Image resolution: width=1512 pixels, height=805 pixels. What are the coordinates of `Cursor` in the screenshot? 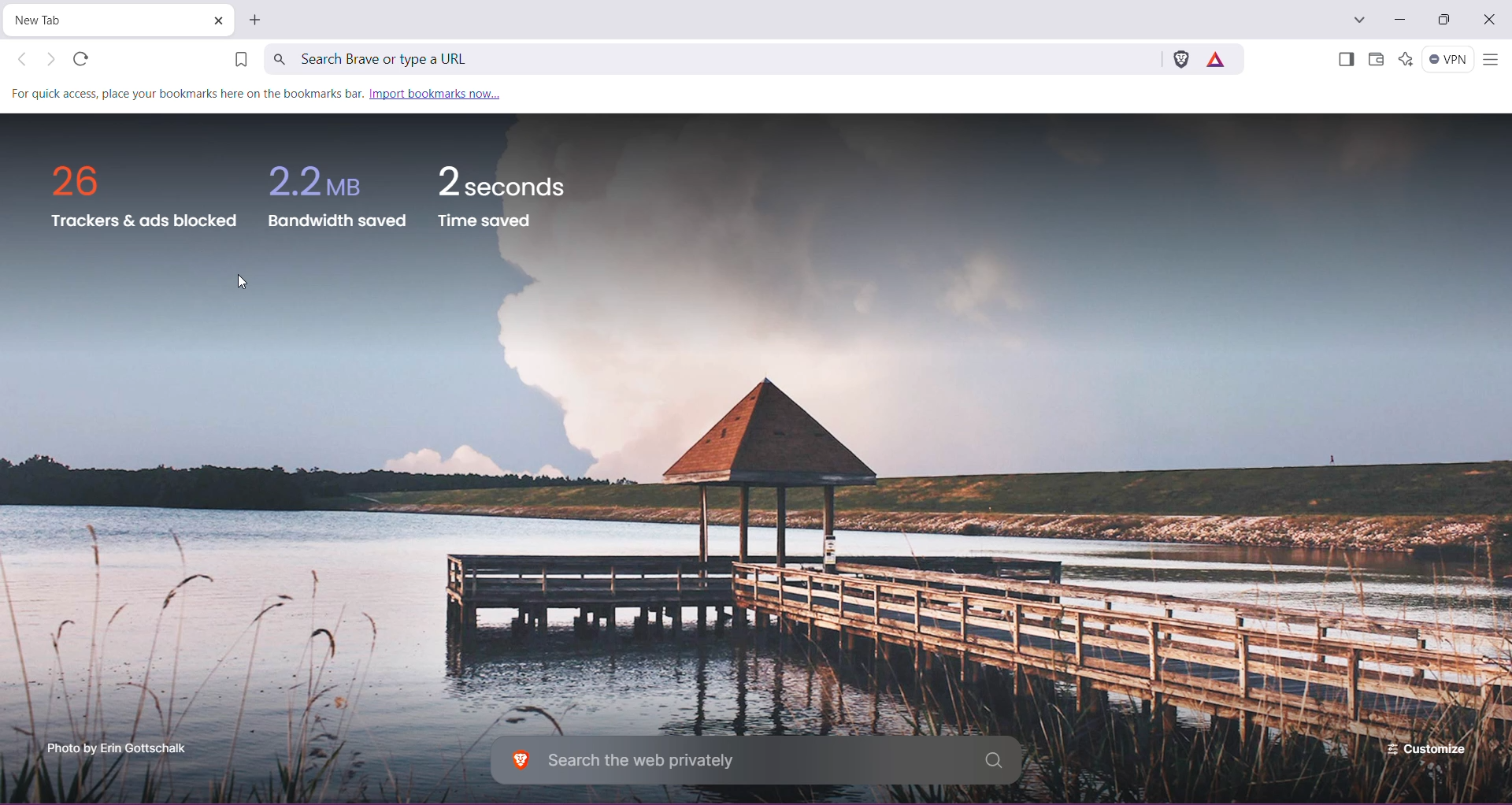 It's located at (235, 276).